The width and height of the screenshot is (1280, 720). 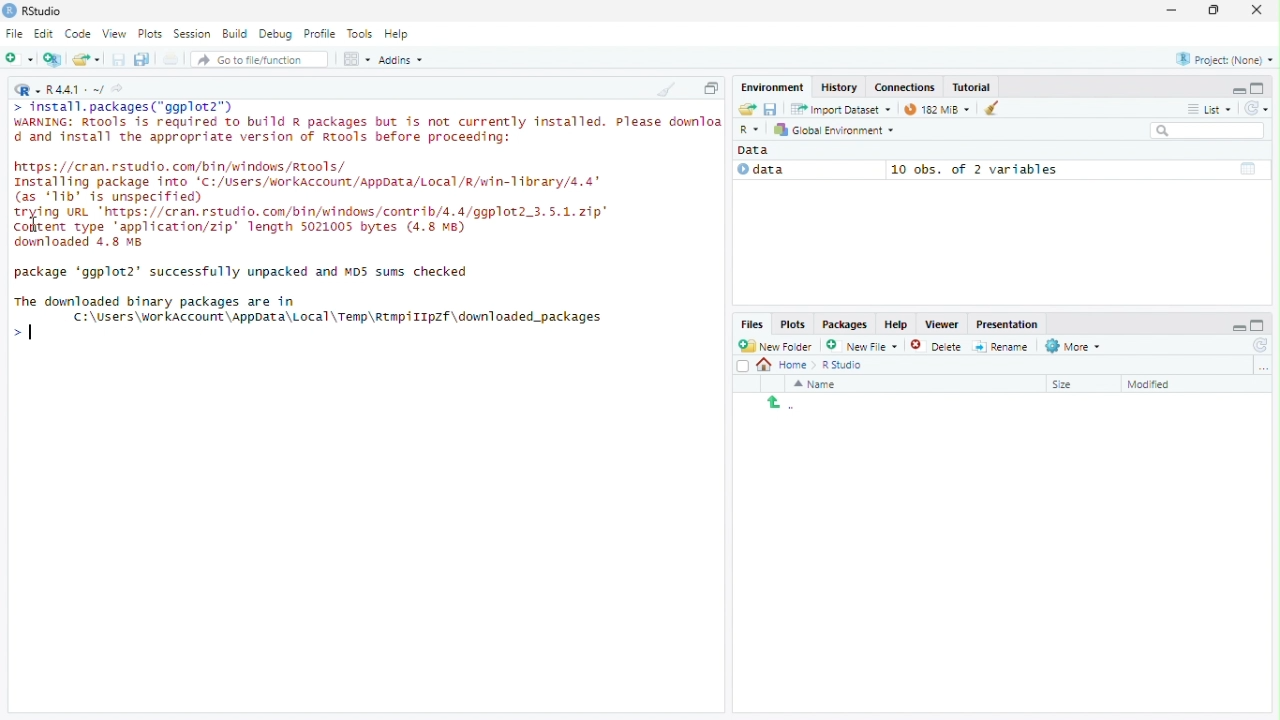 What do you see at coordinates (1210, 109) in the screenshot?
I see `View by list` at bounding box center [1210, 109].